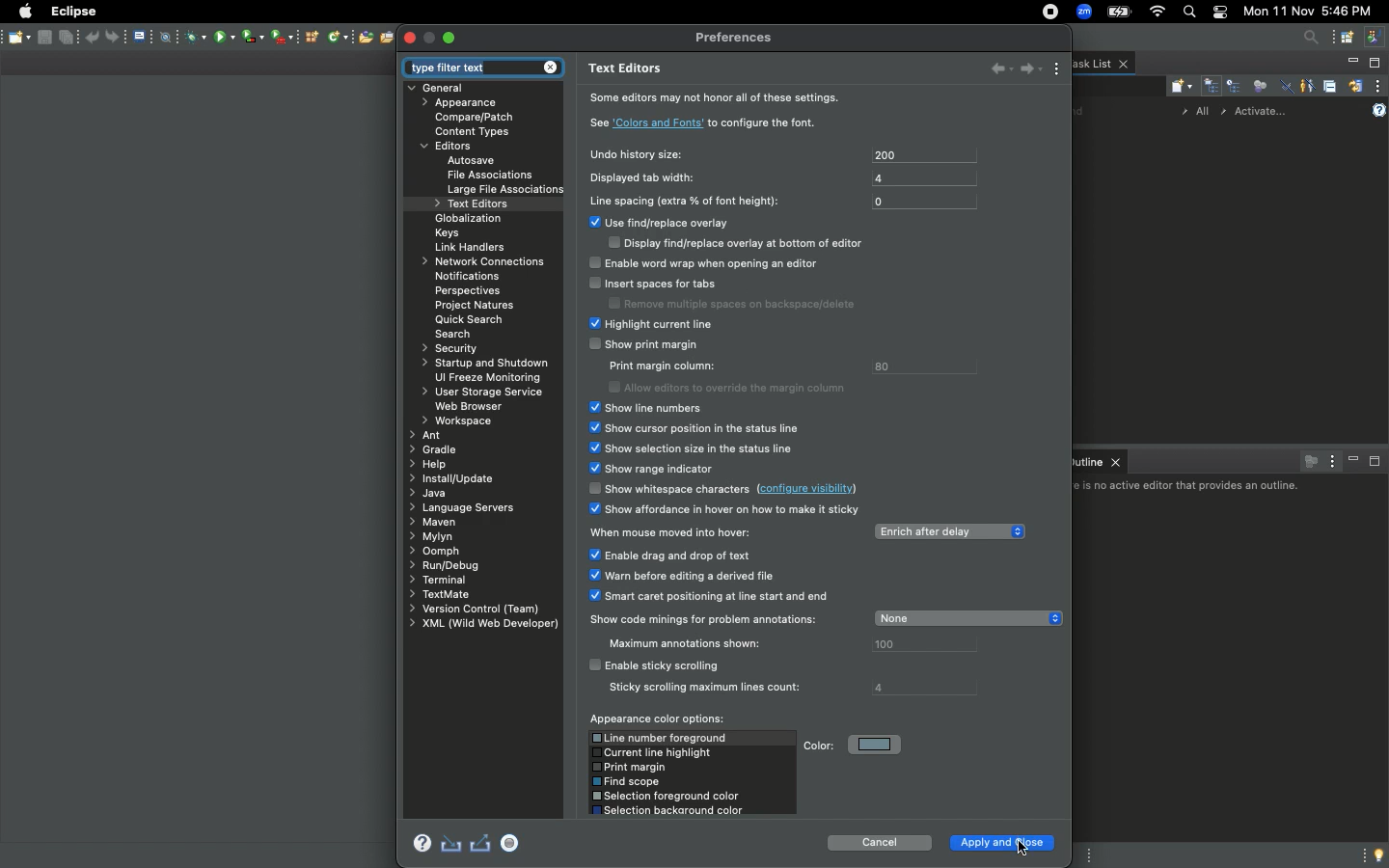  Describe the element at coordinates (629, 68) in the screenshot. I see `Text editors` at that location.